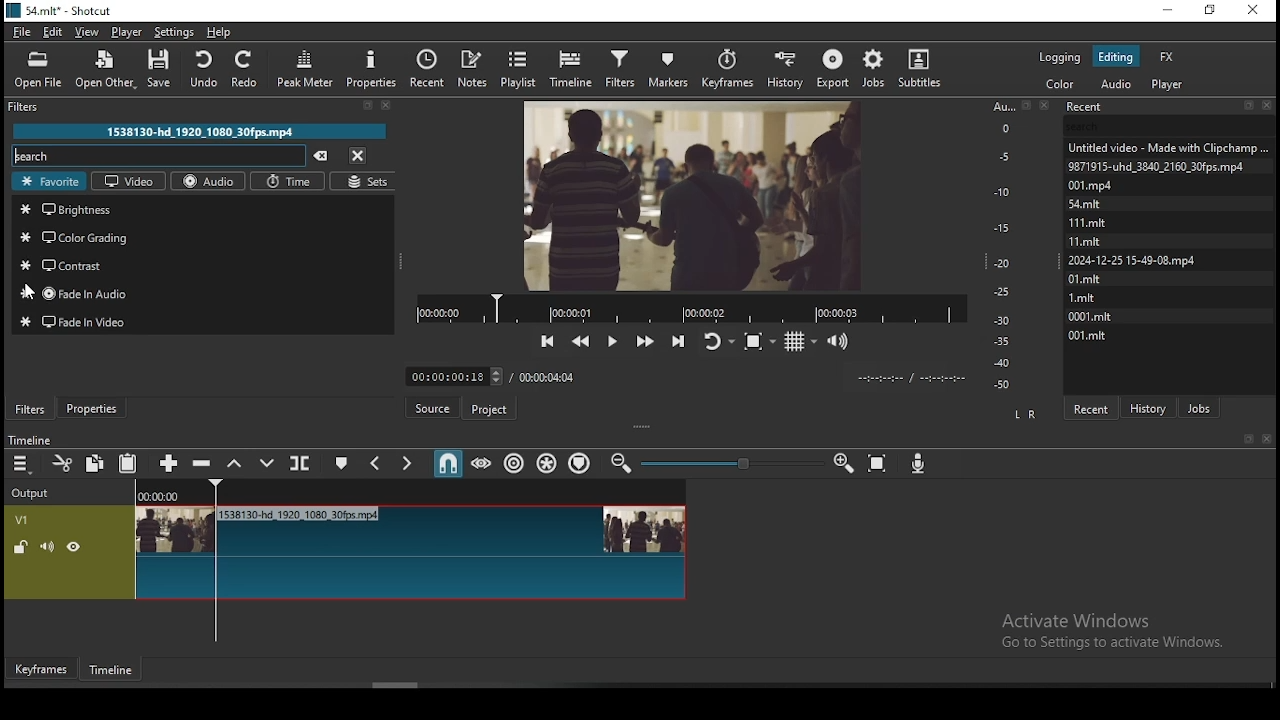  Describe the element at coordinates (1060, 84) in the screenshot. I see `color` at that location.